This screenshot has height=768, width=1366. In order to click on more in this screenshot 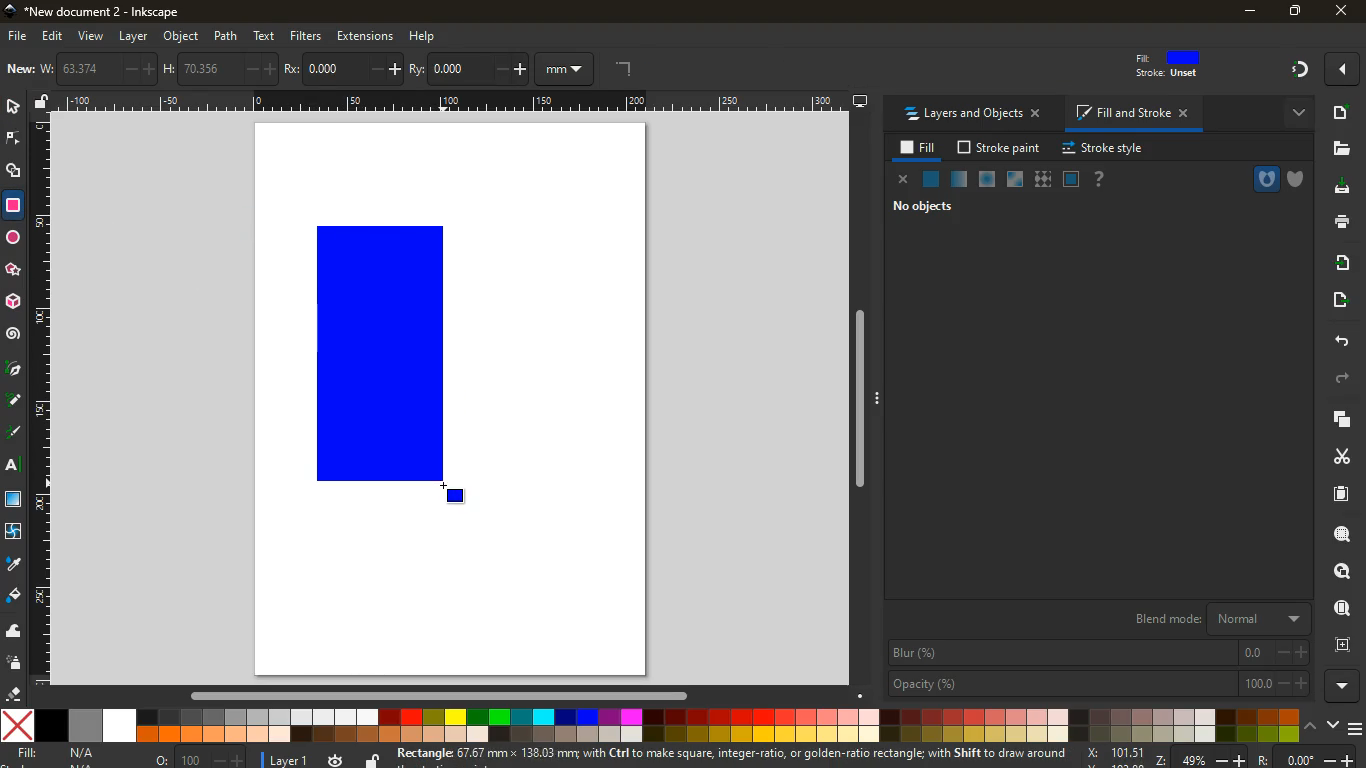, I will do `click(1345, 684)`.